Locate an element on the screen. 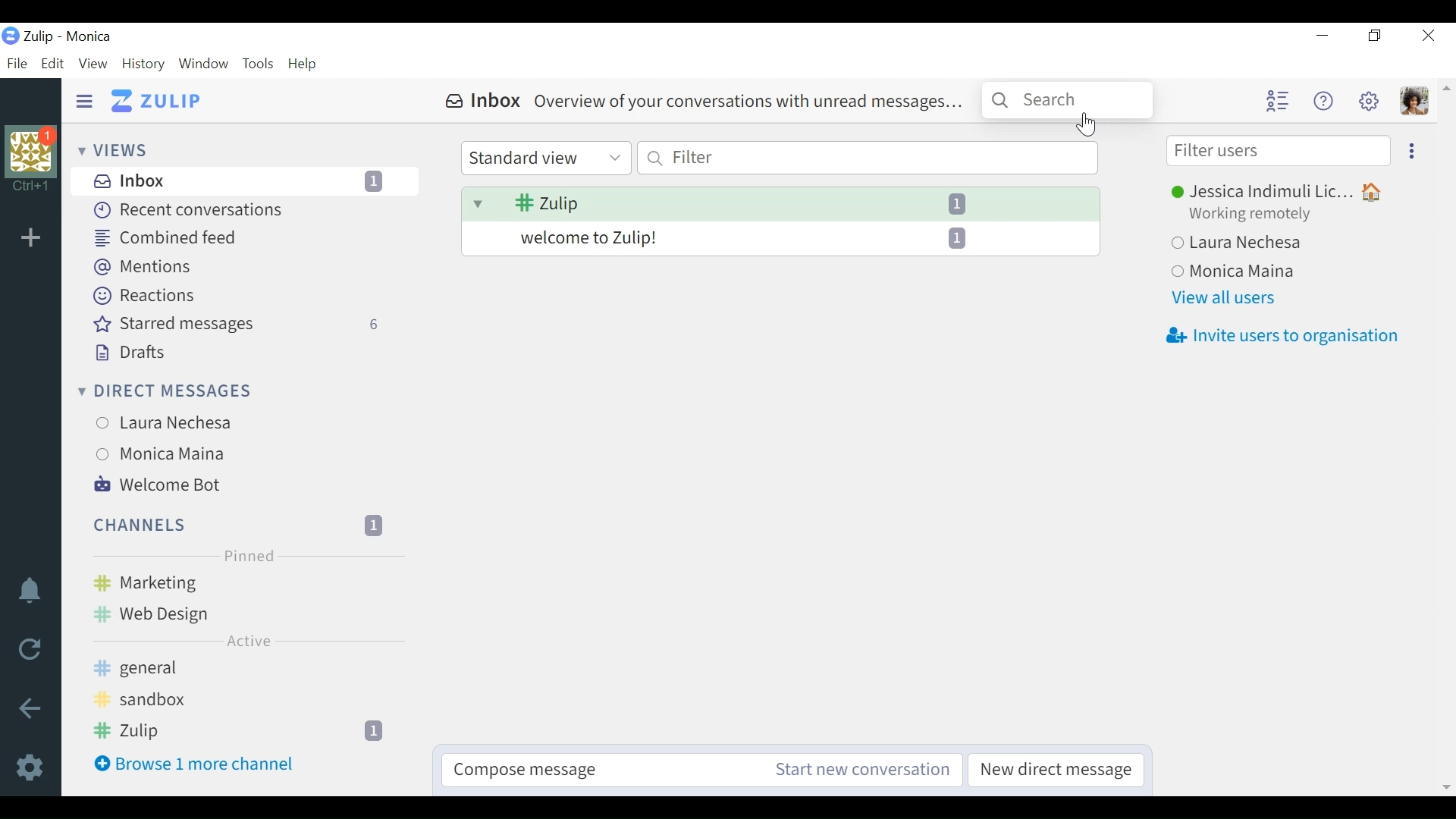 The width and height of the screenshot is (1456, 819). Filter is located at coordinates (867, 159).